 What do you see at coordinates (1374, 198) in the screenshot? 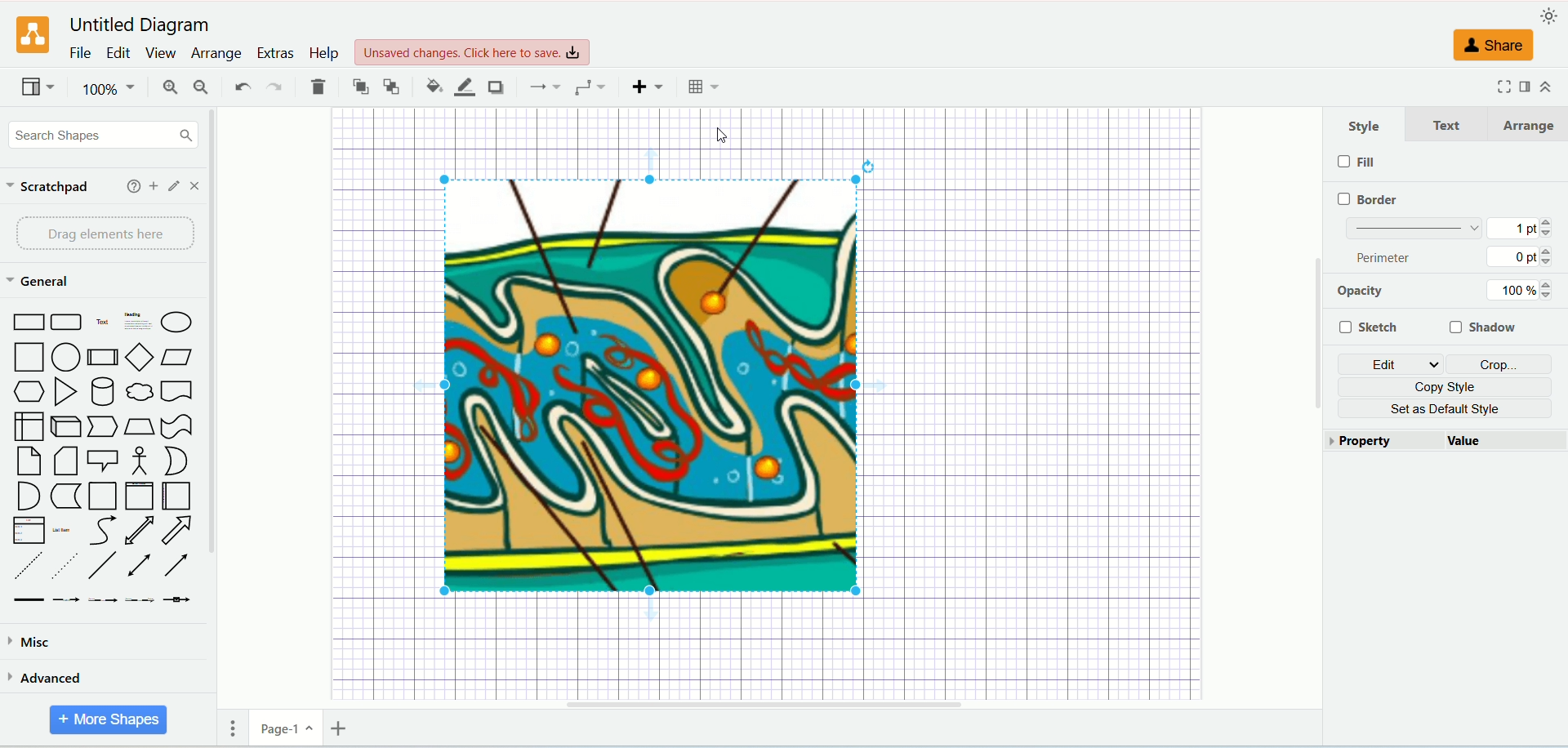
I see `border` at bounding box center [1374, 198].